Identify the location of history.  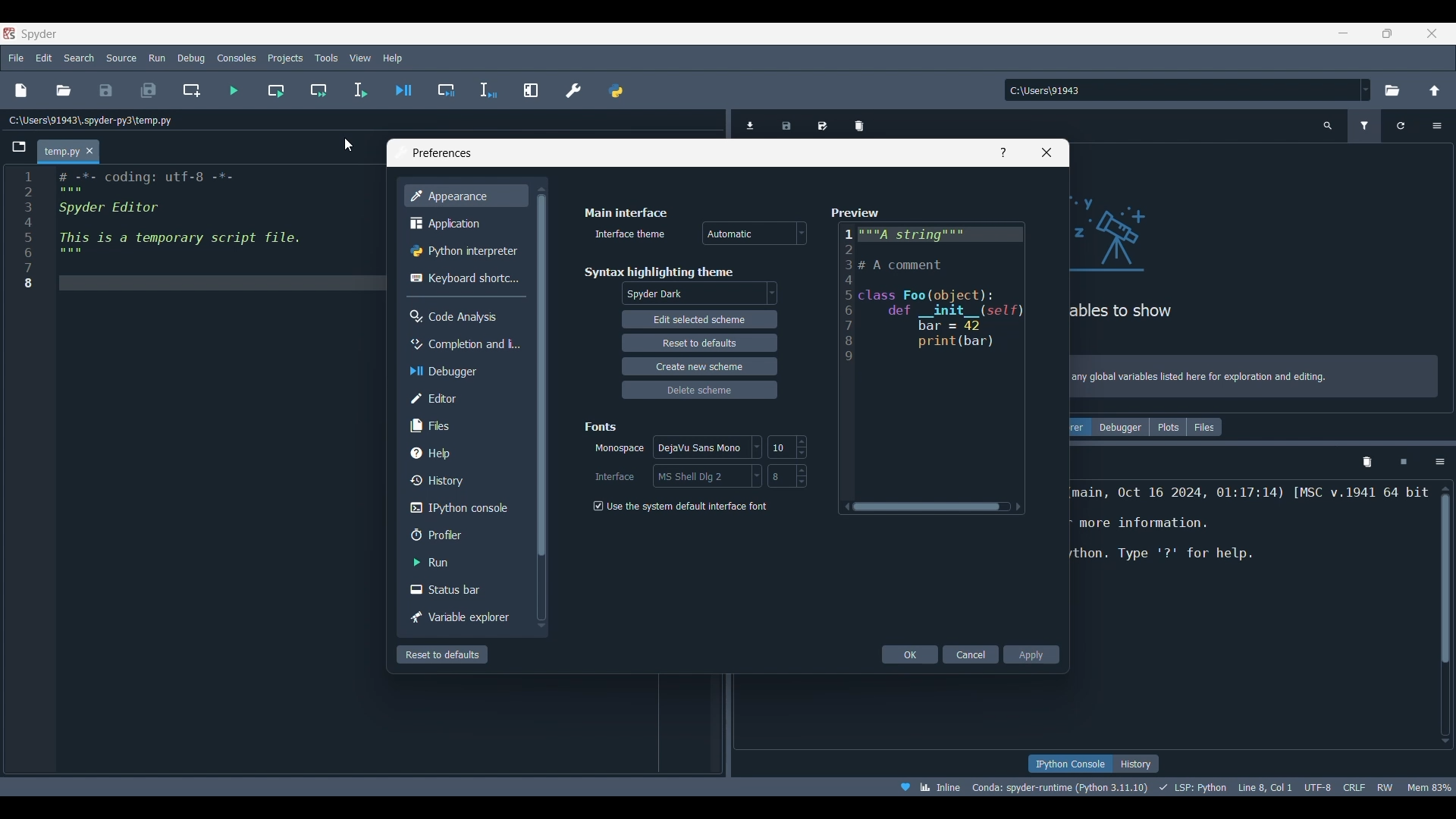
(446, 479).